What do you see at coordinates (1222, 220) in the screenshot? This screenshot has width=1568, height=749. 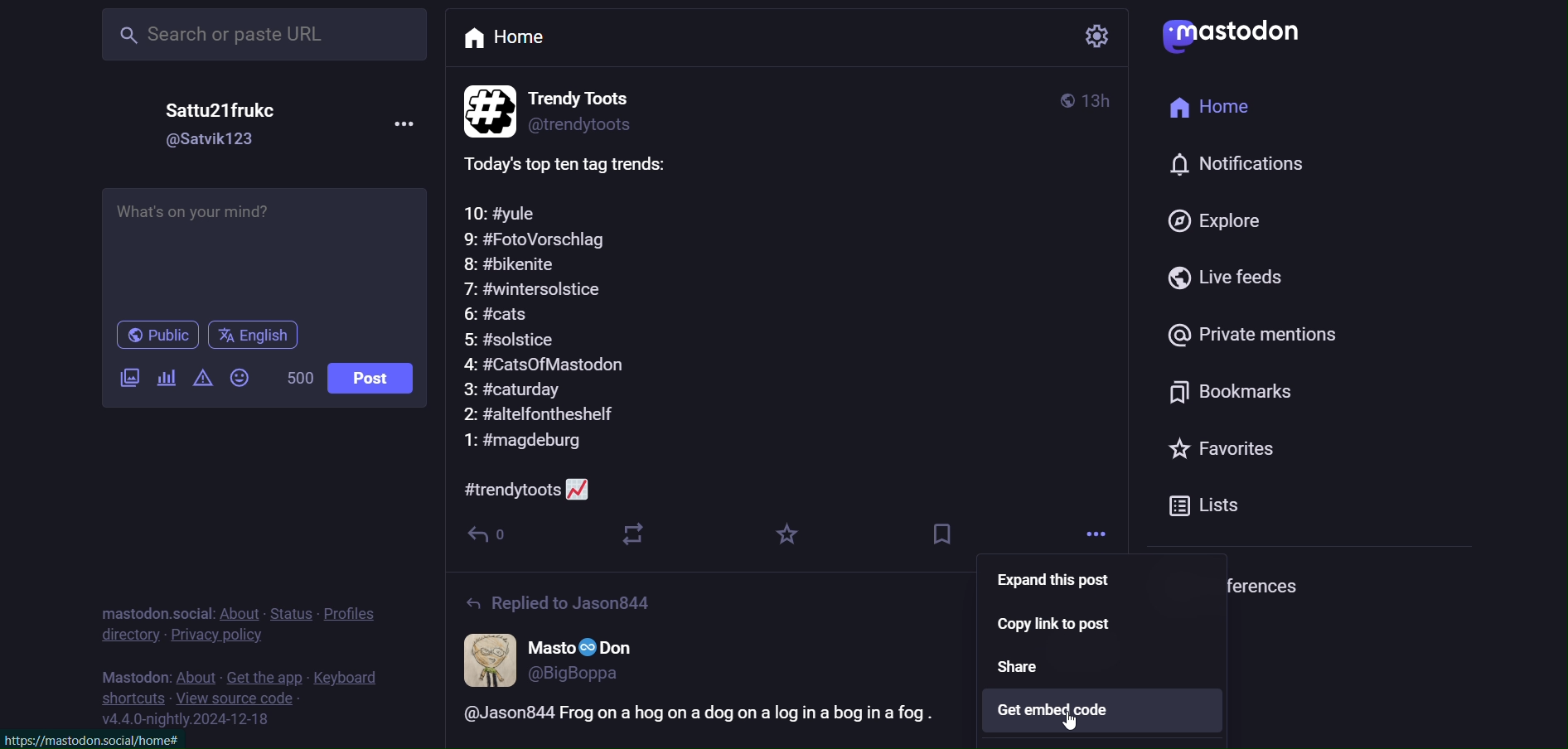 I see `explore` at bounding box center [1222, 220].